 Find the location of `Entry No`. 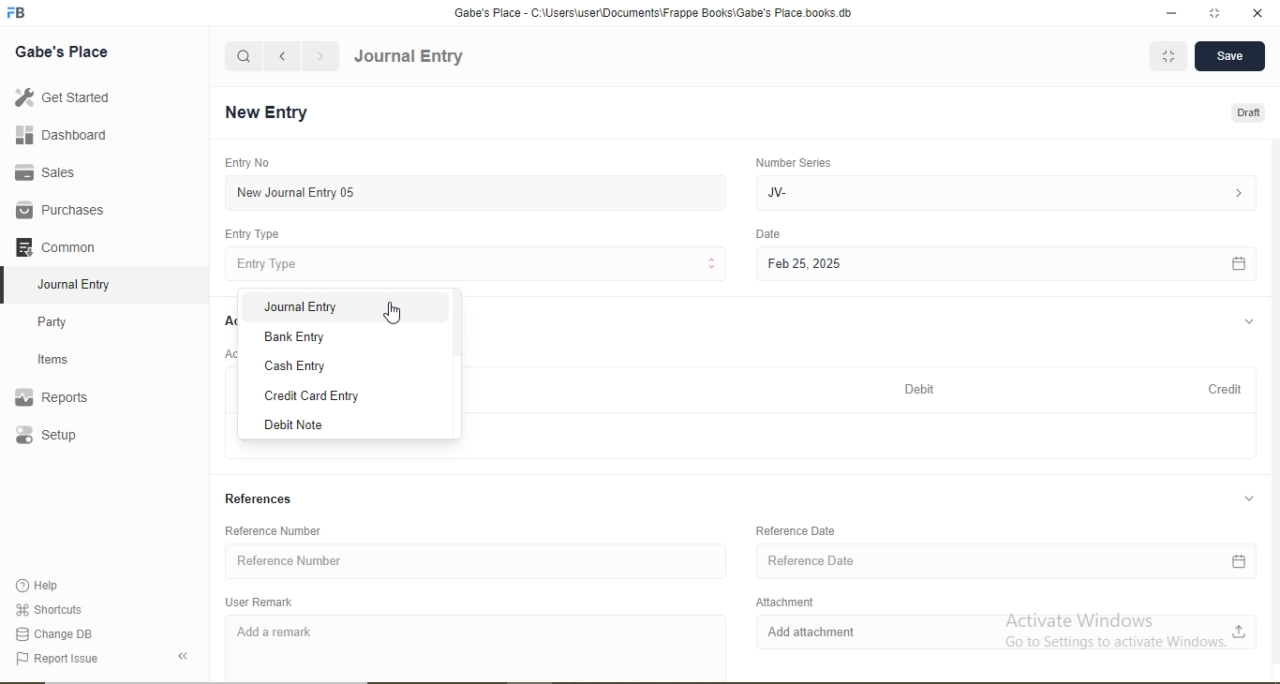

Entry No is located at coordinates (244, 162).